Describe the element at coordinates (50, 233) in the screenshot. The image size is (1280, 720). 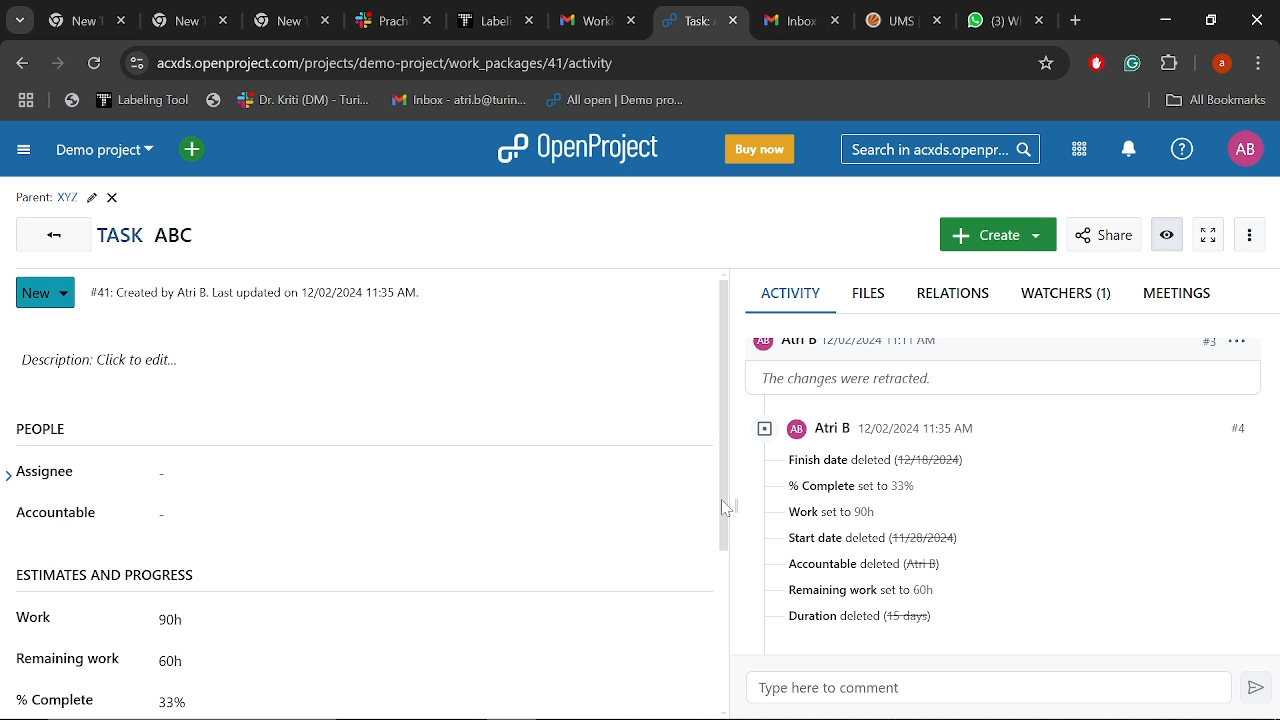
I see `GO back` at that location.